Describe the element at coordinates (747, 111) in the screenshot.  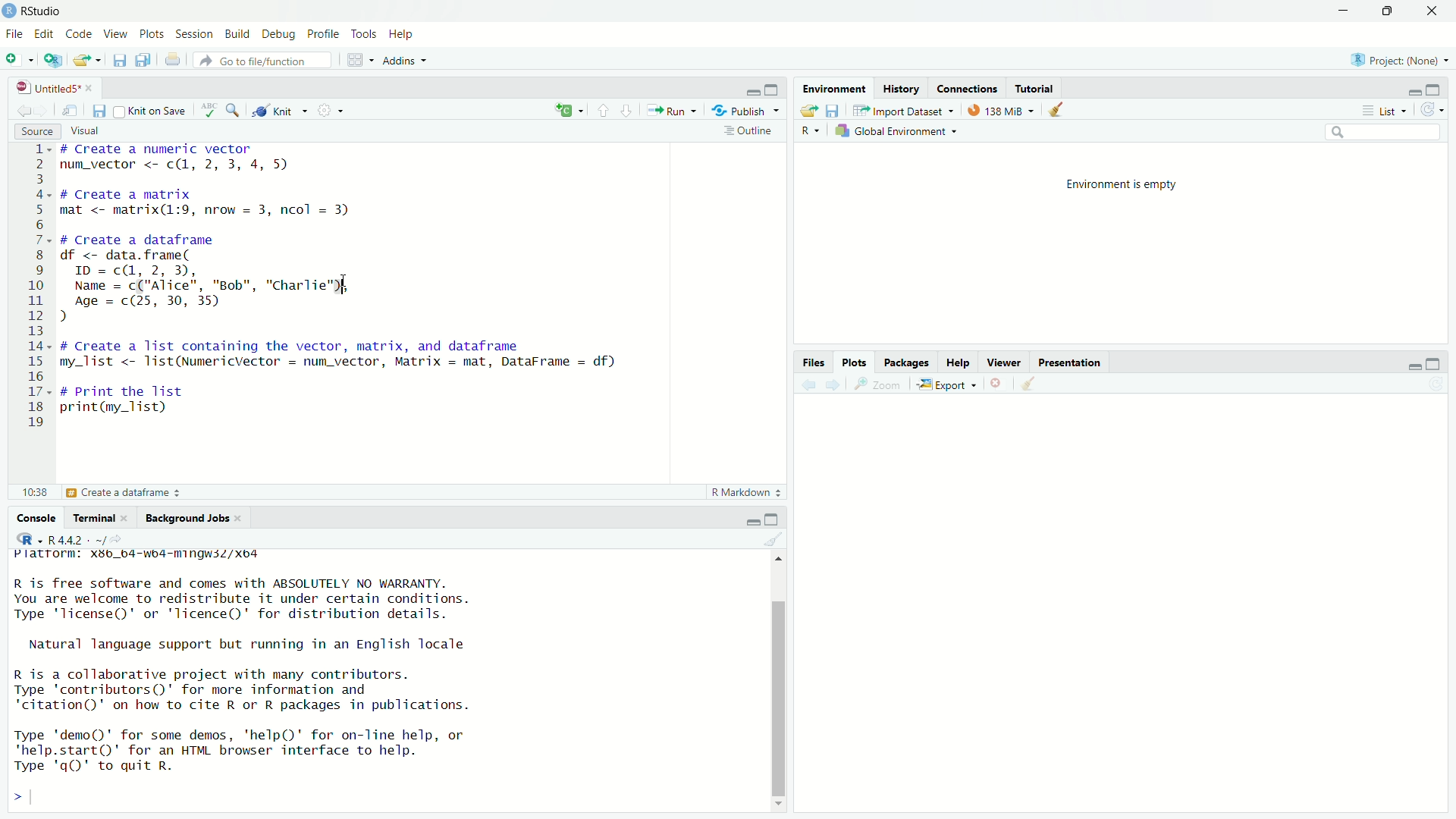
I see `Publish ~` at that location.